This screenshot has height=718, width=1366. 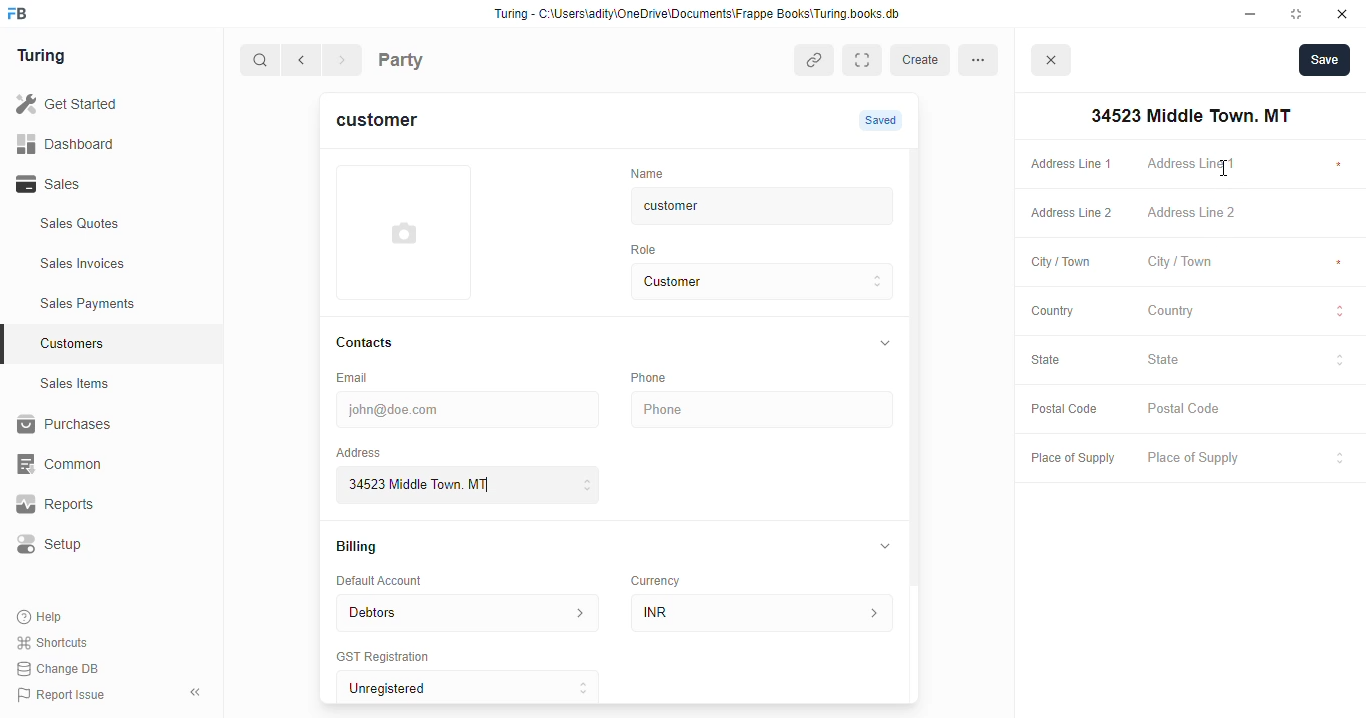 What do you see at coordinates (123, 341) in the screenshot?
I see `Customers` at bounding box center [123, 341].